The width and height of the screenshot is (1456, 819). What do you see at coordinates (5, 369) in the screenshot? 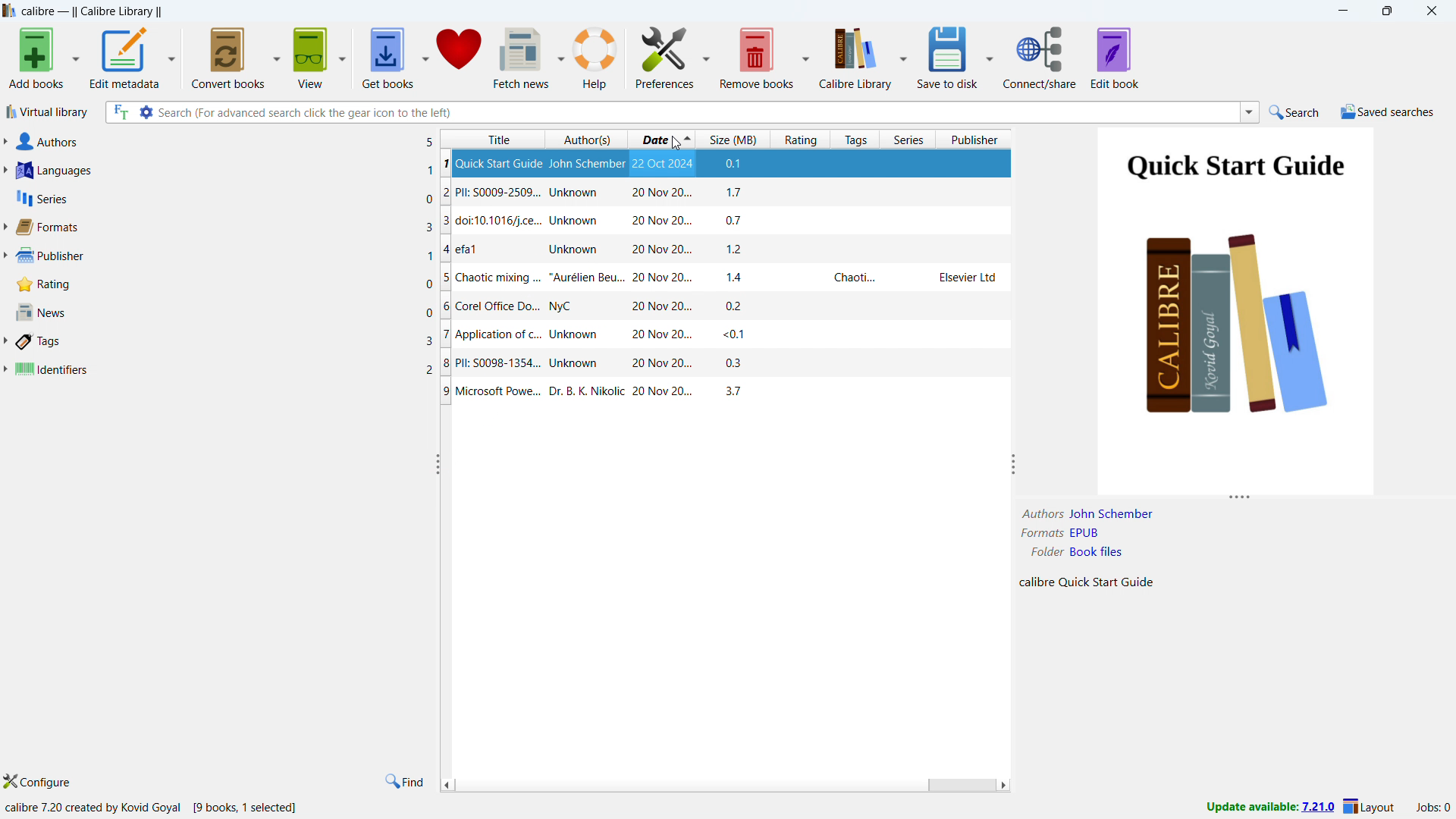
I see `expand identifiers` at bounding box center [5, 369].